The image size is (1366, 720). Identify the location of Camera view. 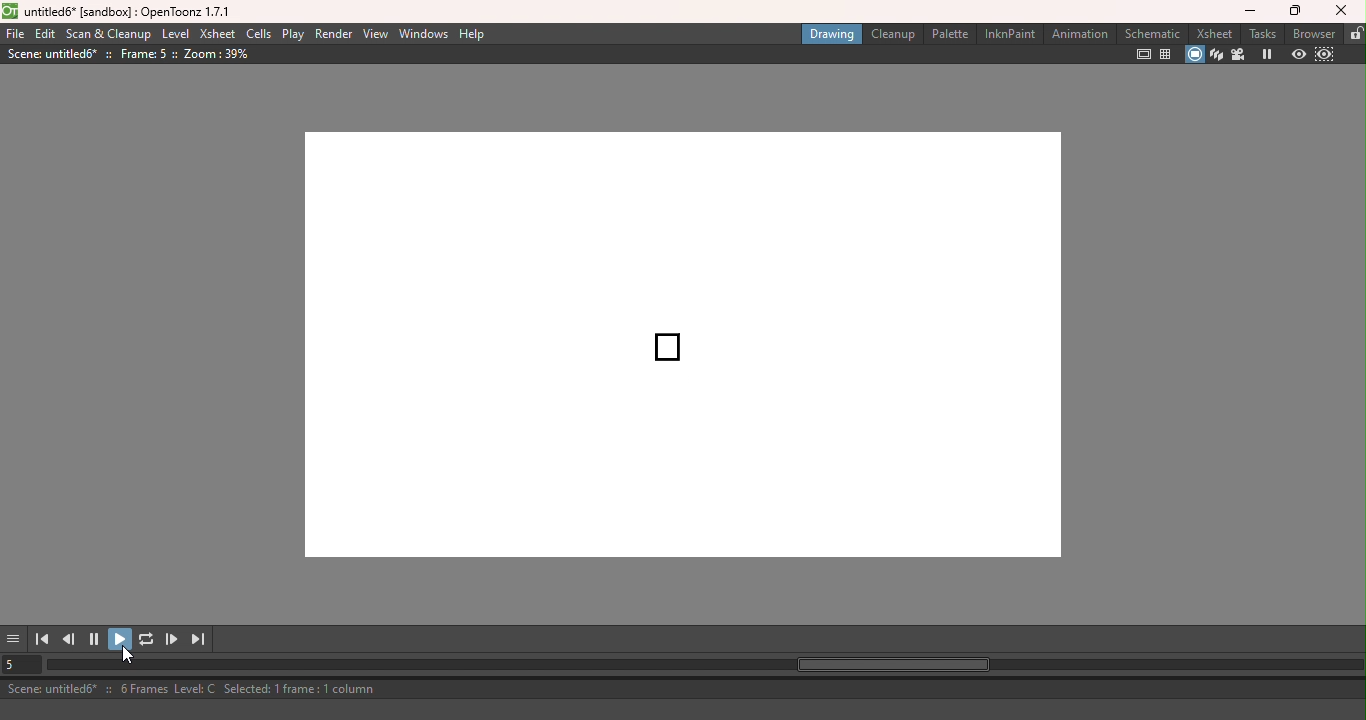
(1240, 54).